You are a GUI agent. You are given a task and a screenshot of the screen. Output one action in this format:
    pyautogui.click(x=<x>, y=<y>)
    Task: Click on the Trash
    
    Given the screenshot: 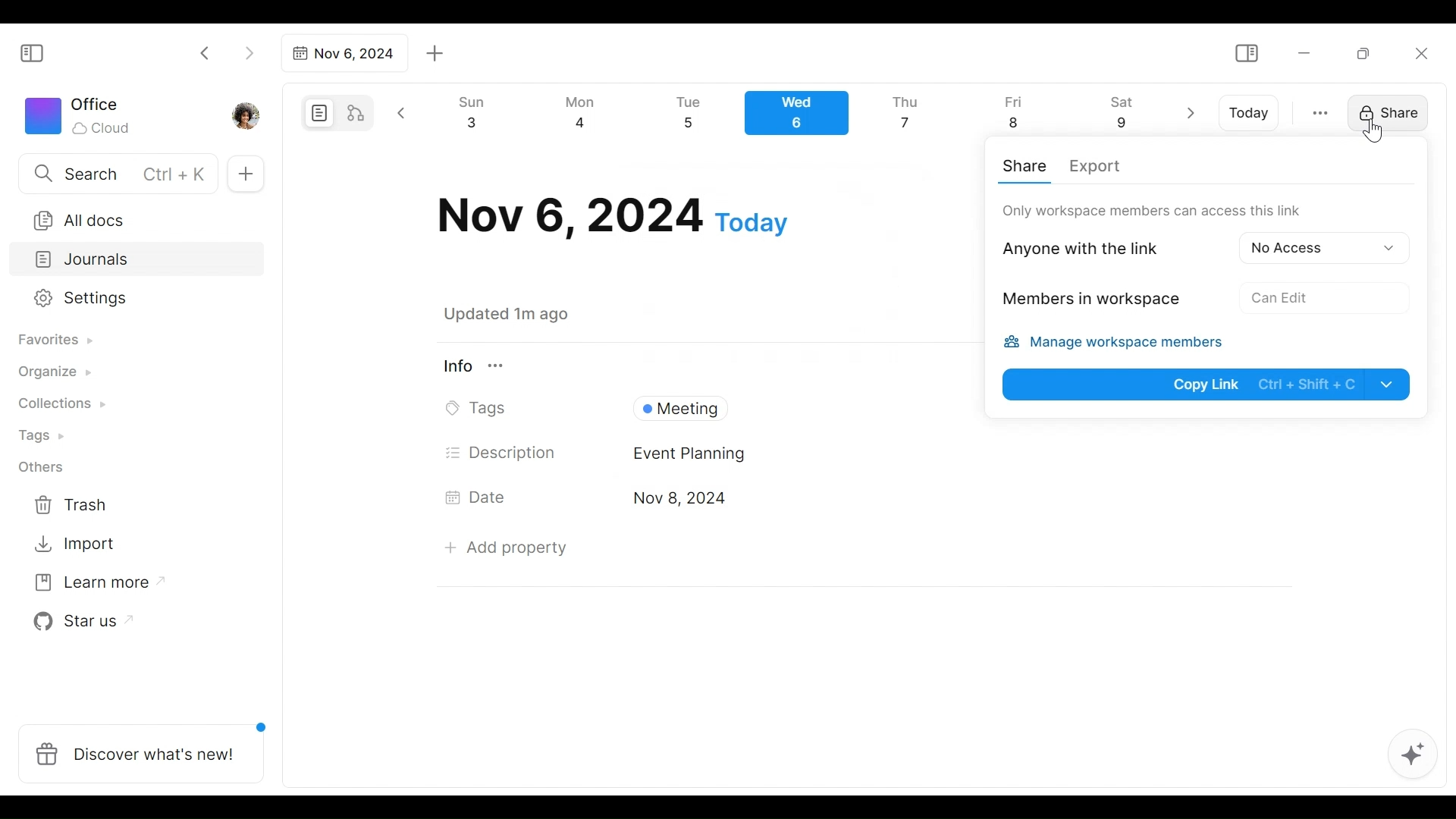 What is the action you would take?
    pyautogui.click(x=72, y=505)
    